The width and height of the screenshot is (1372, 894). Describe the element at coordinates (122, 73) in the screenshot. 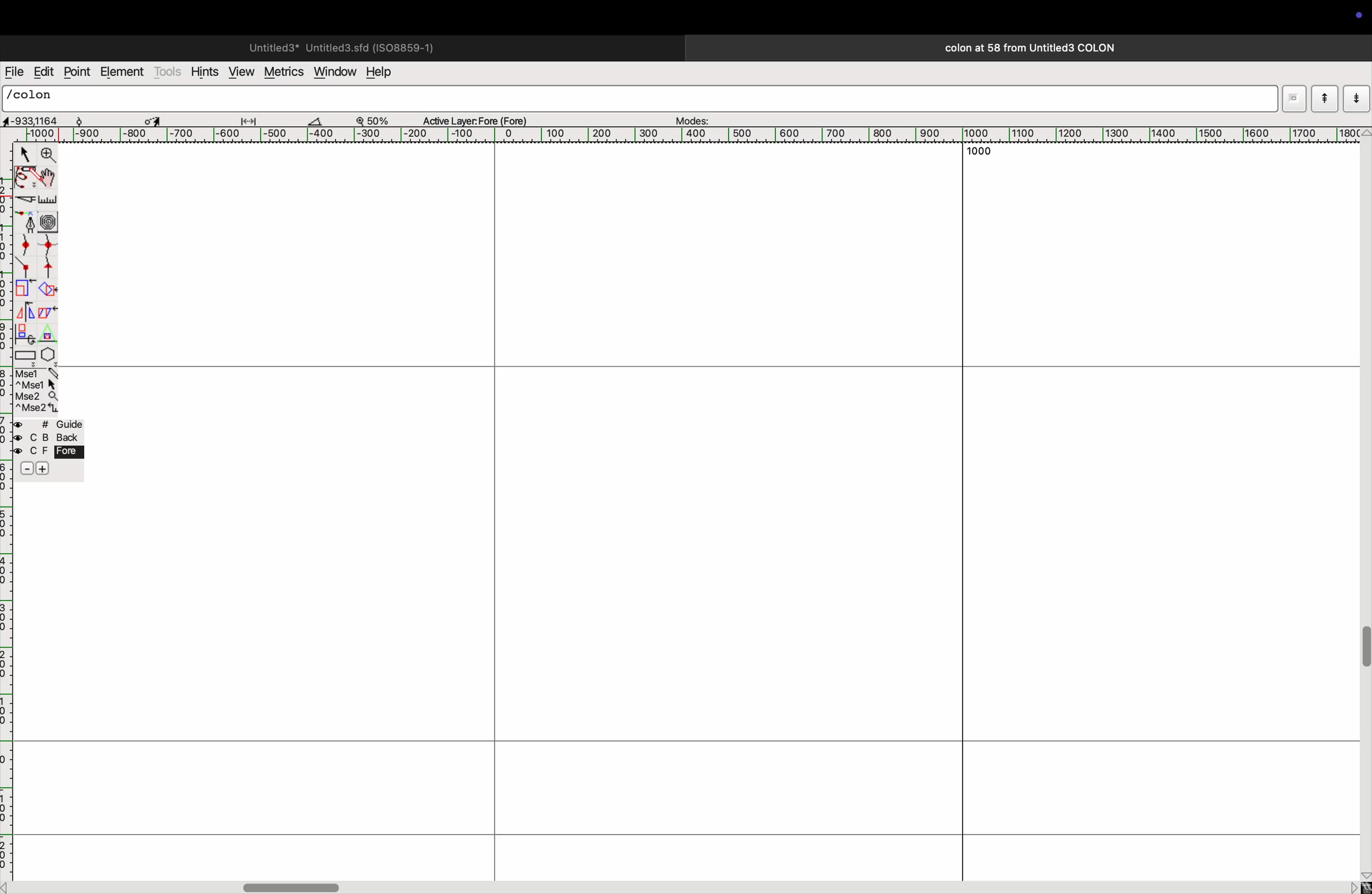

I see `element` at that location.